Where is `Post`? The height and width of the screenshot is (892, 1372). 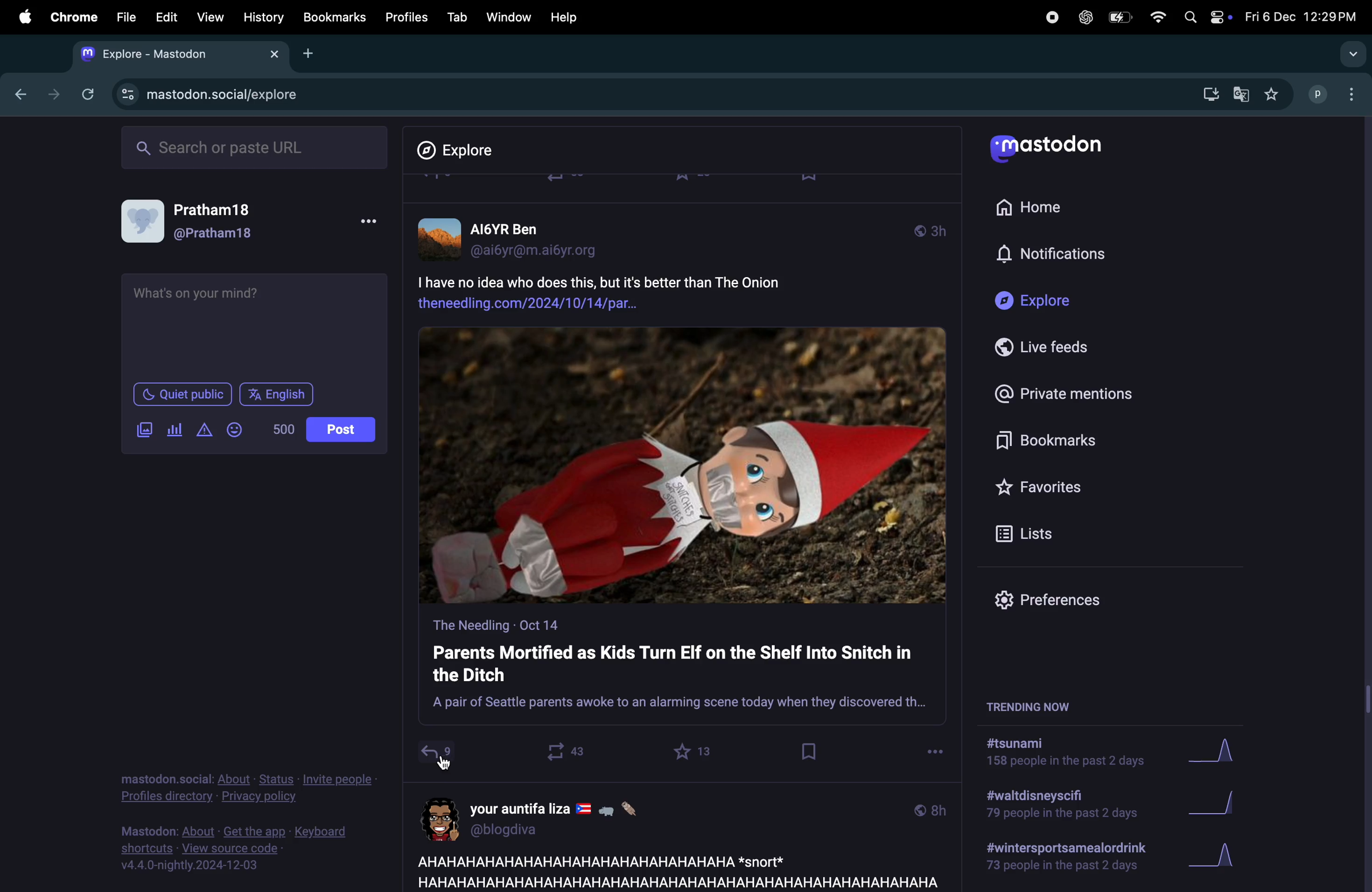 Post is located at coordinates (342, 430).